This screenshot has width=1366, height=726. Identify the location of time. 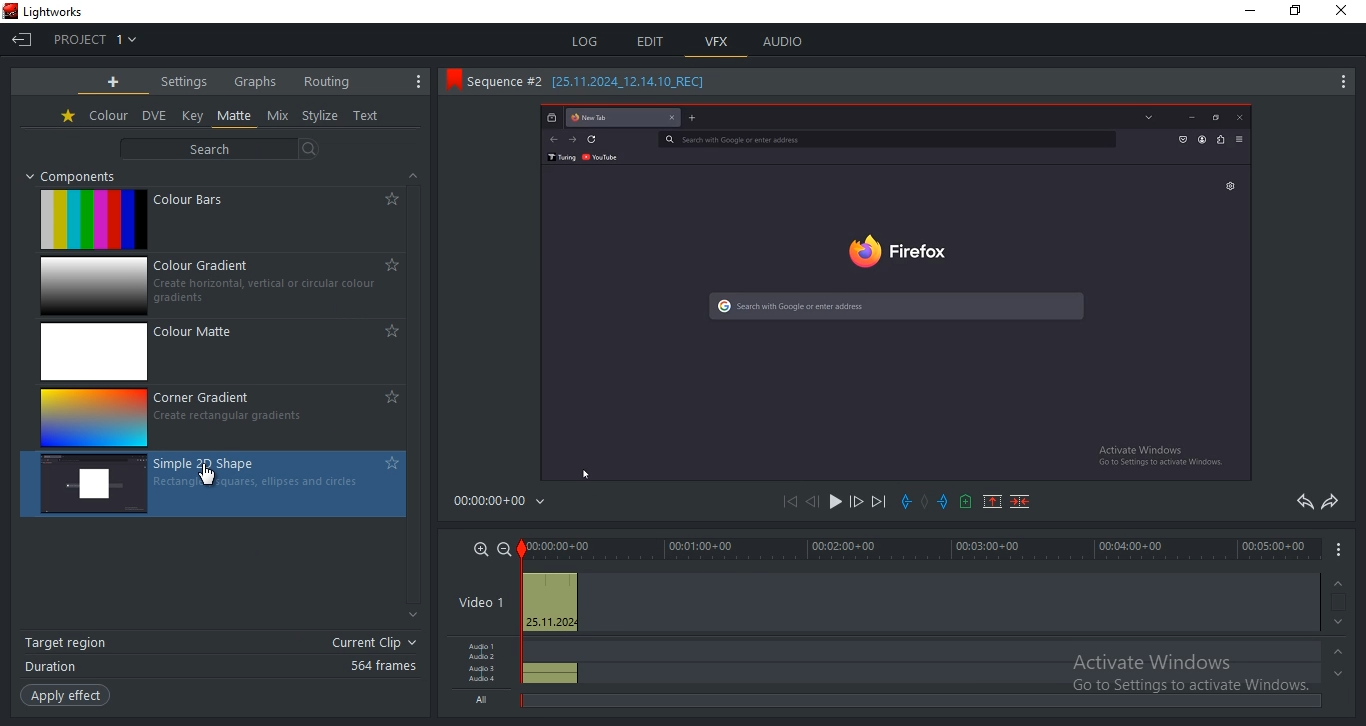
(504, 505).